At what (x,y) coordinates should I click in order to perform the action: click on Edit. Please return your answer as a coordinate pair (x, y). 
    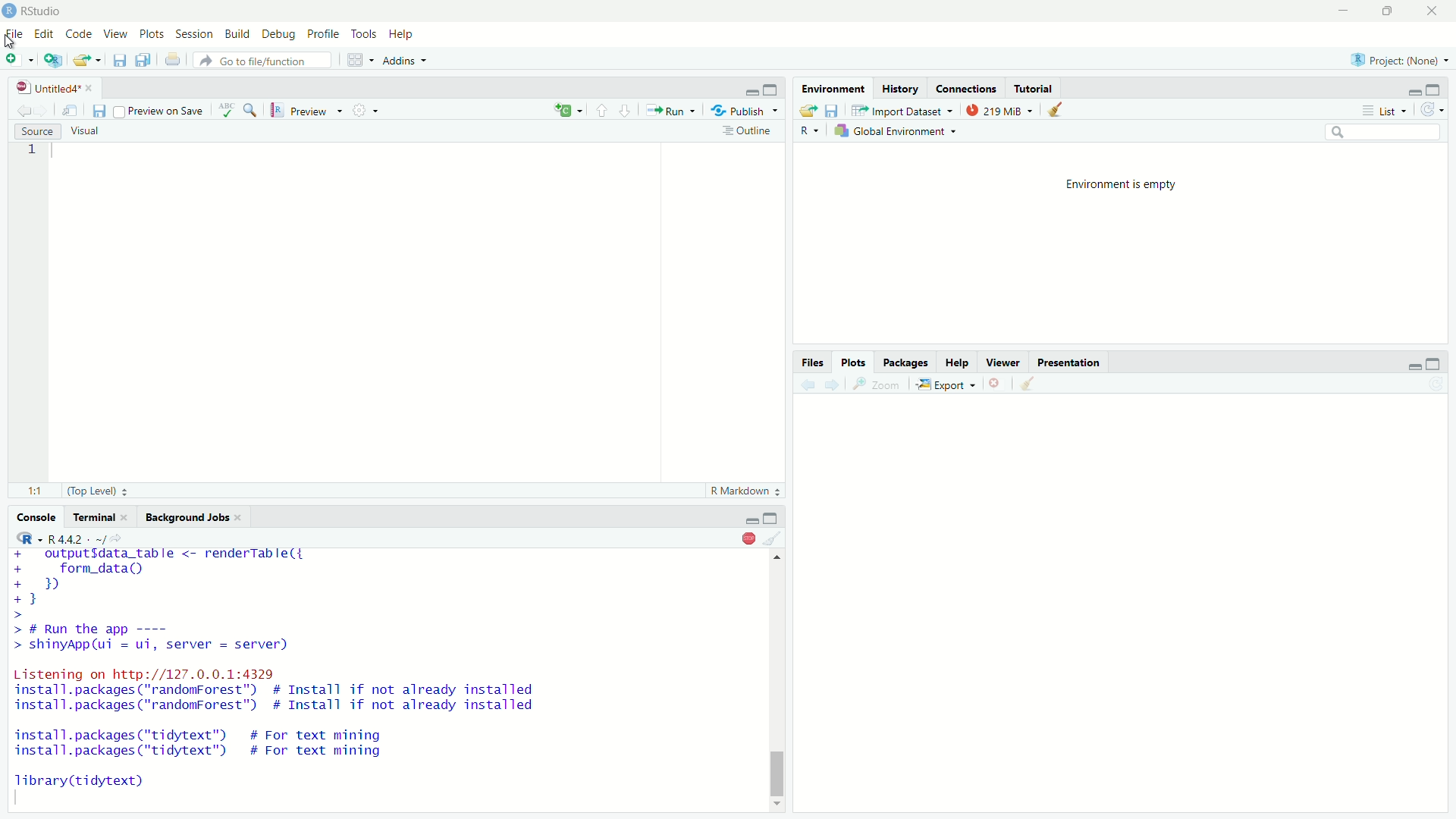
    Looking at the image, I should click on (43, 34).